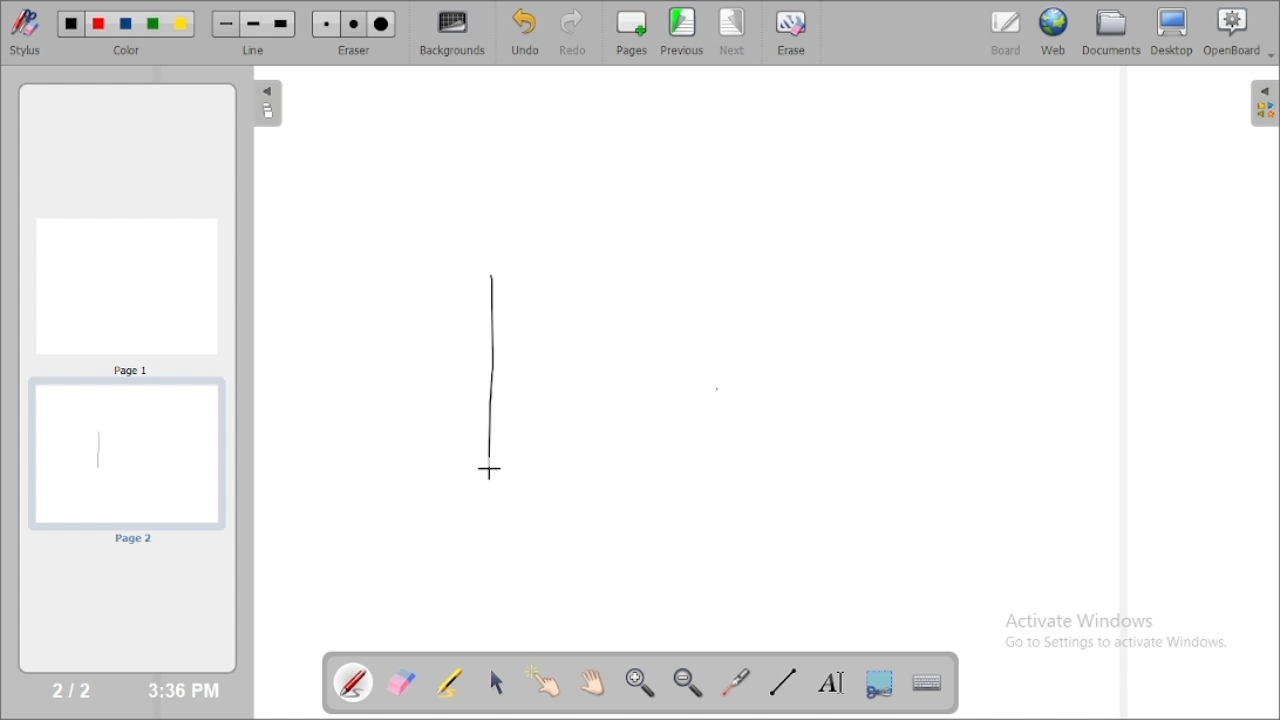 The width and height of the screenshot is (1280, 720). I want to click on The flatplan (left panel), so click(266, 105).